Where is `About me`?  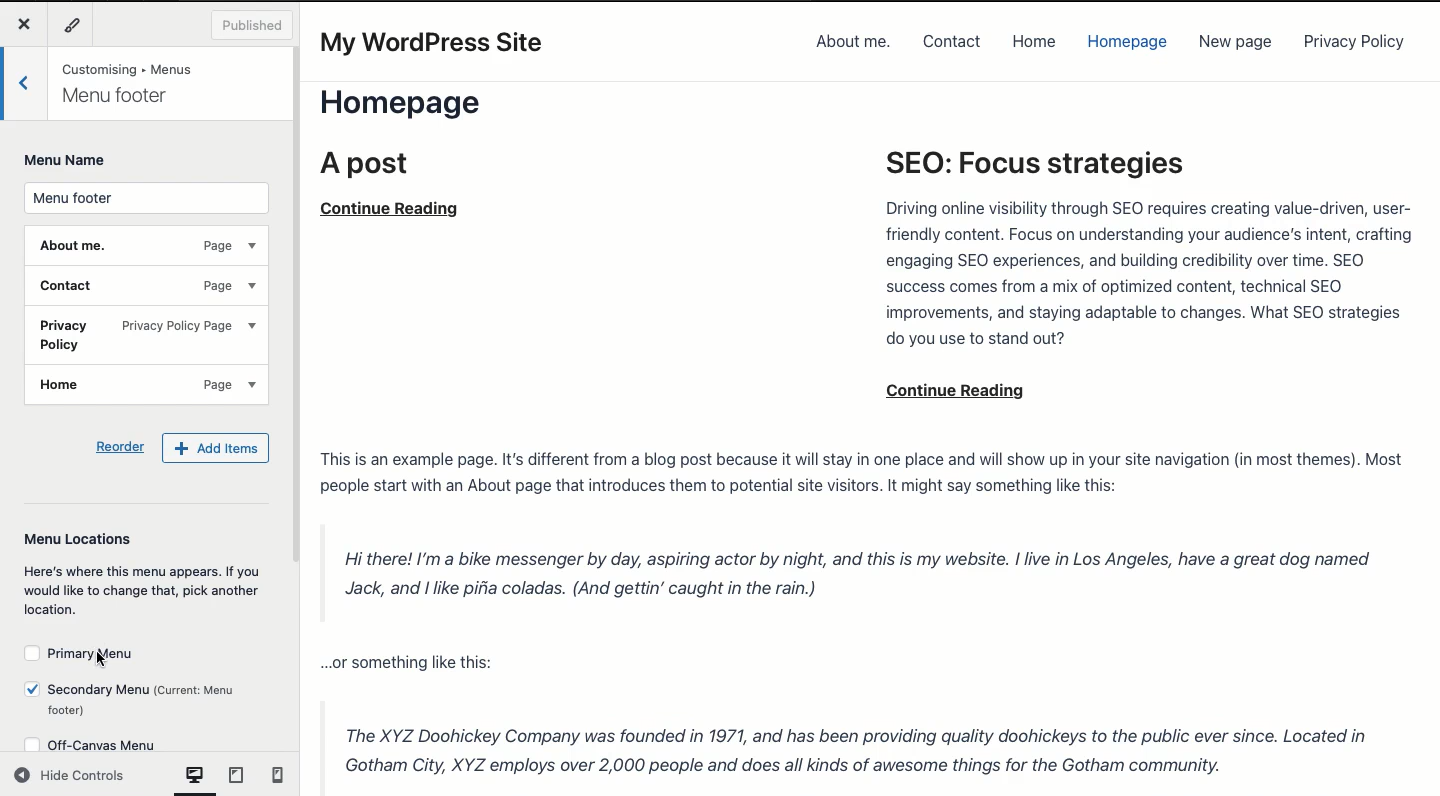
About me is located at coordinates (146, 247).